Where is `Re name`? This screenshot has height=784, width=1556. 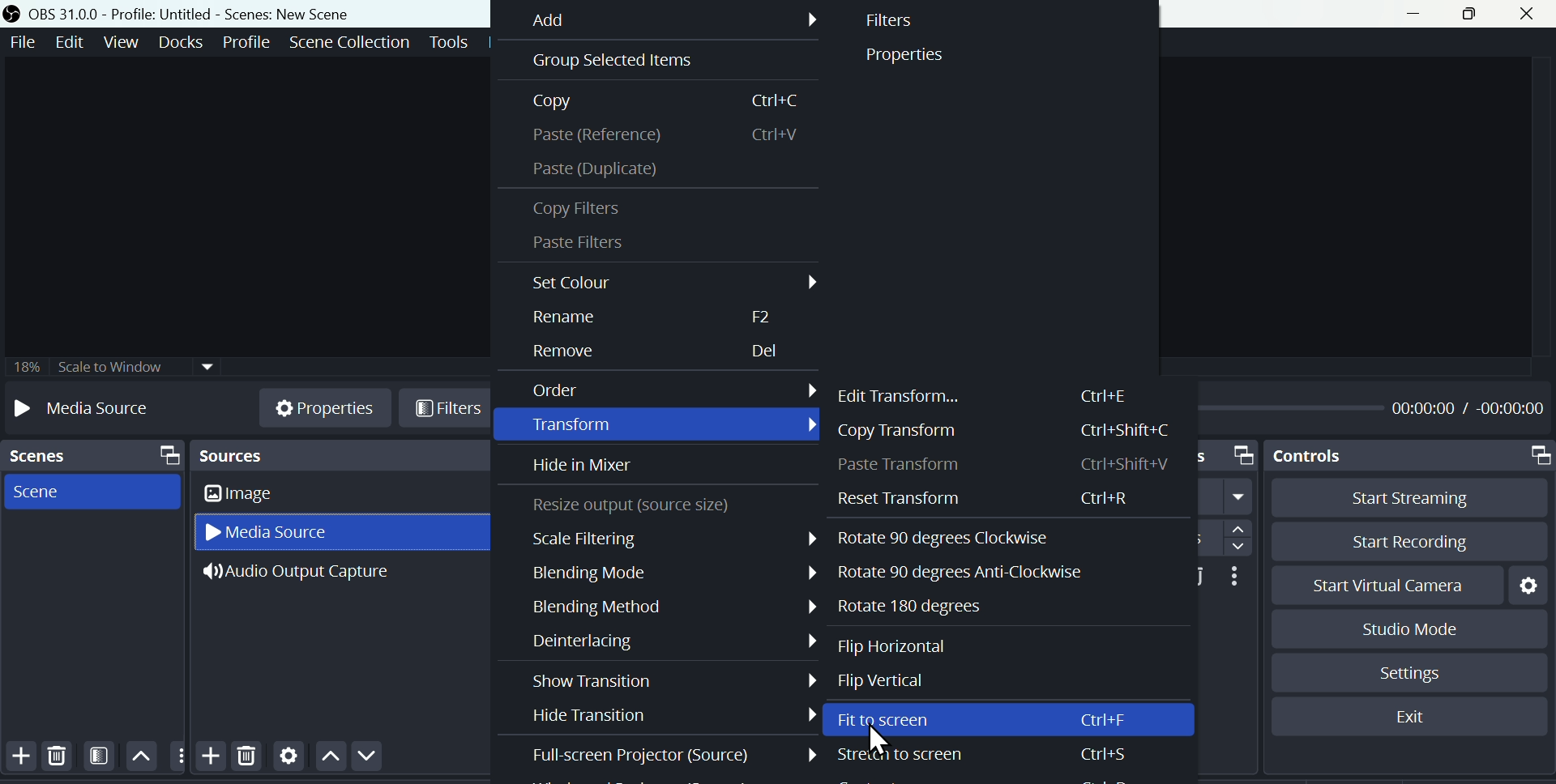
Re name is located at coordinates (656, 317).